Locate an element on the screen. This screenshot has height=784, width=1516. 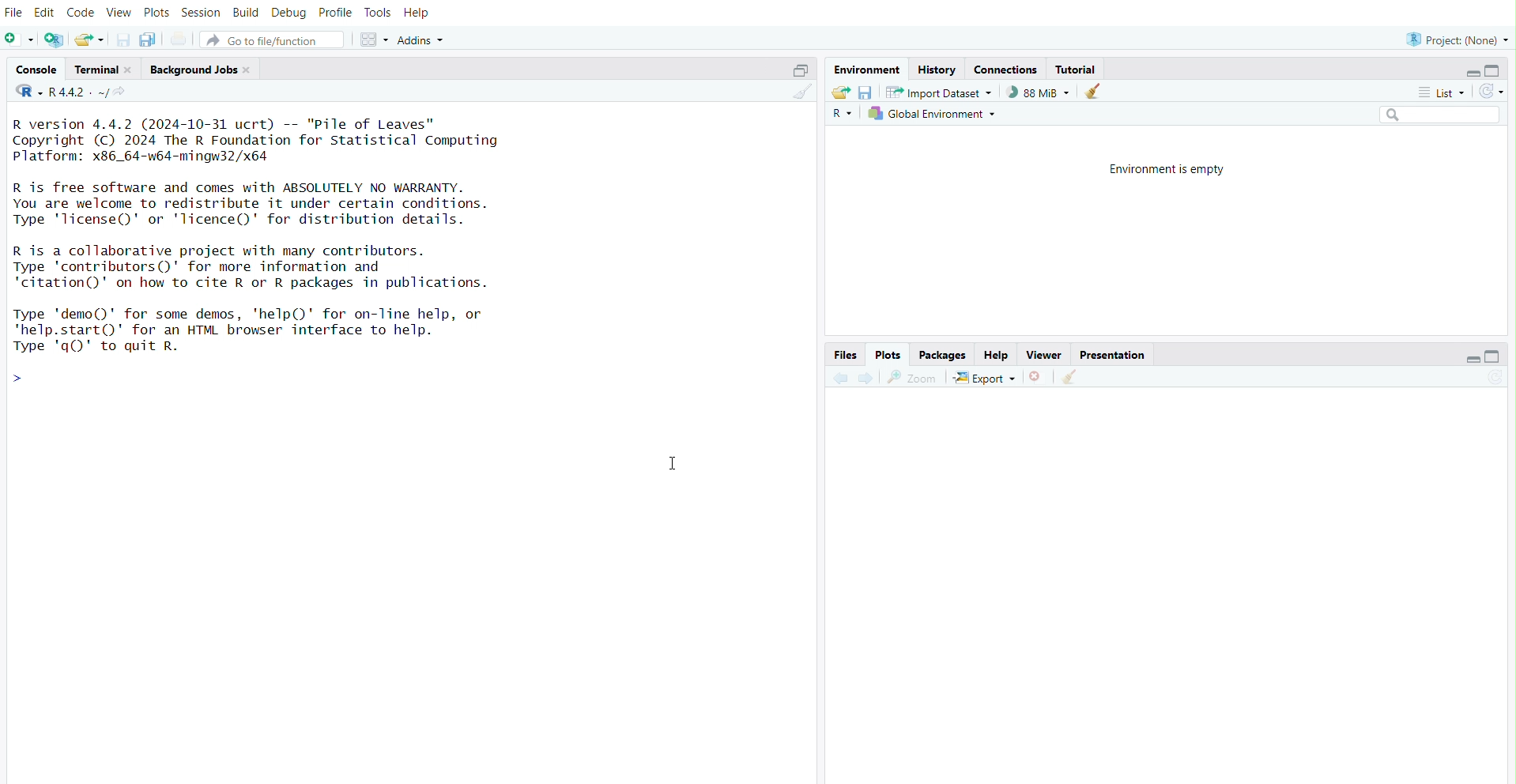
workspace panes is located at coordinates (375, 37).